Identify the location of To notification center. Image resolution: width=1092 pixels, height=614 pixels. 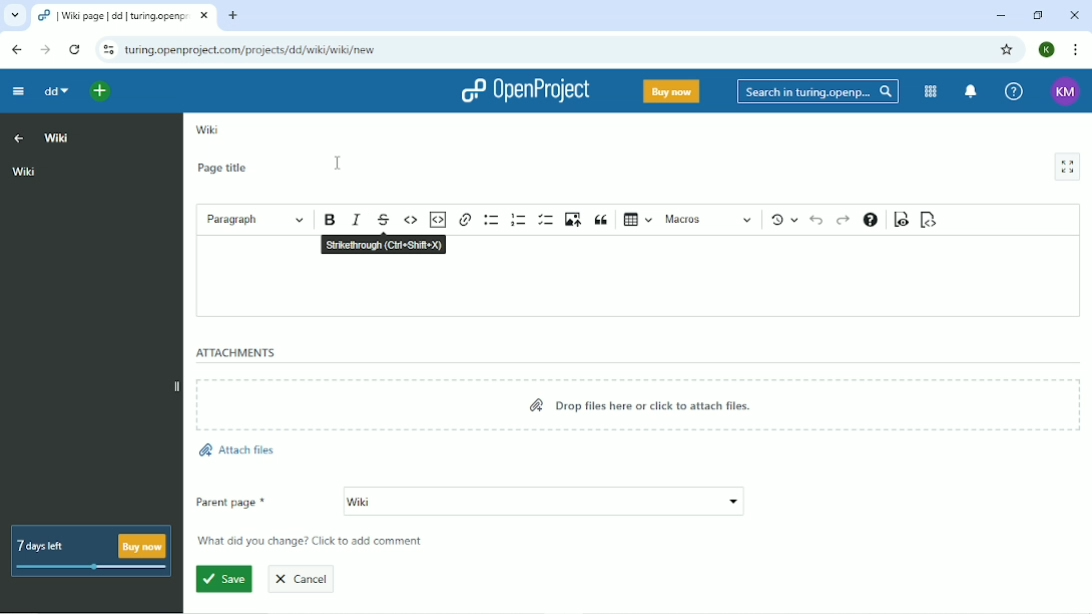
(971, 91).